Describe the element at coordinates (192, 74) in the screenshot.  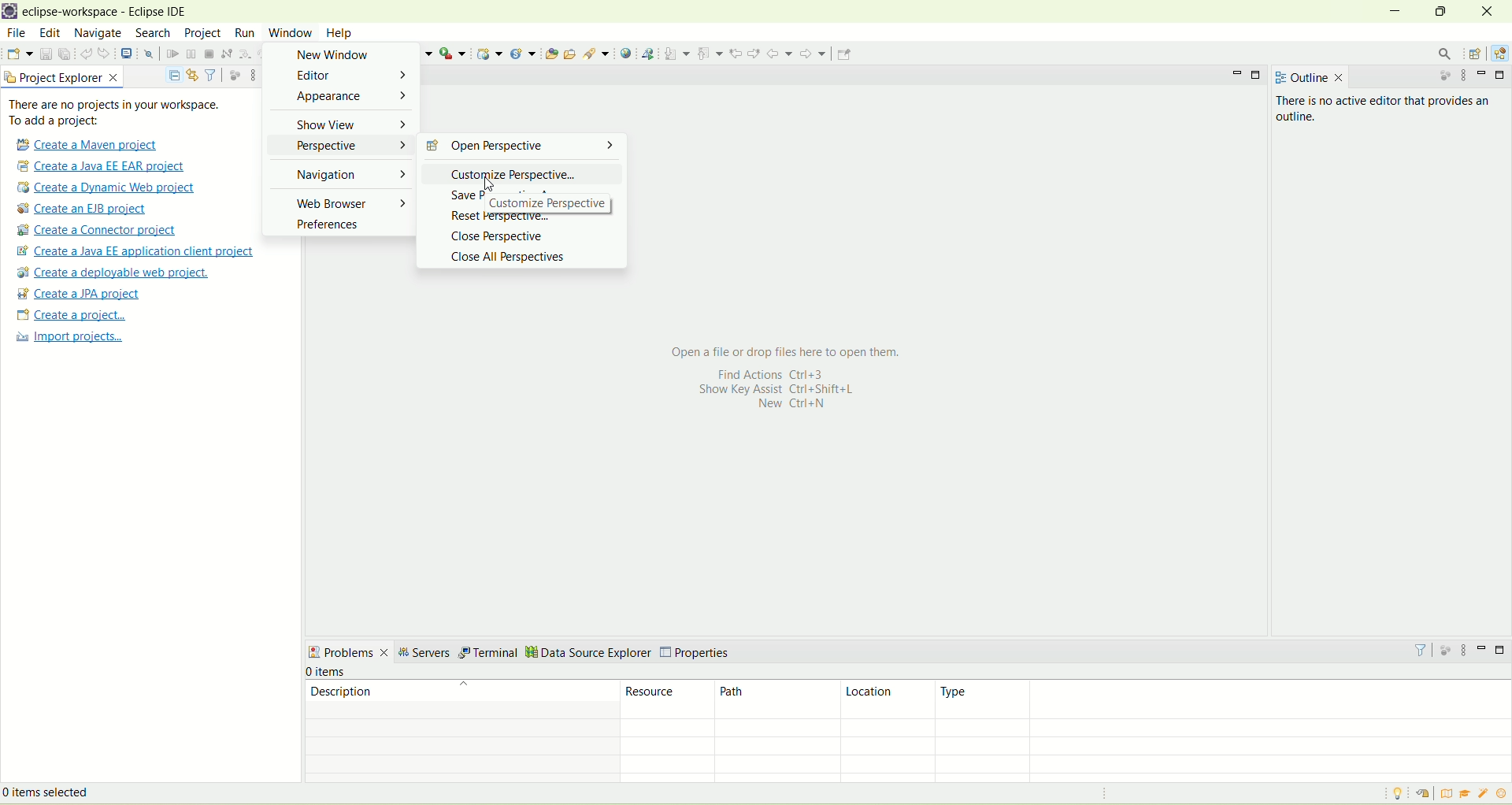
I see `link with editor` at that location.